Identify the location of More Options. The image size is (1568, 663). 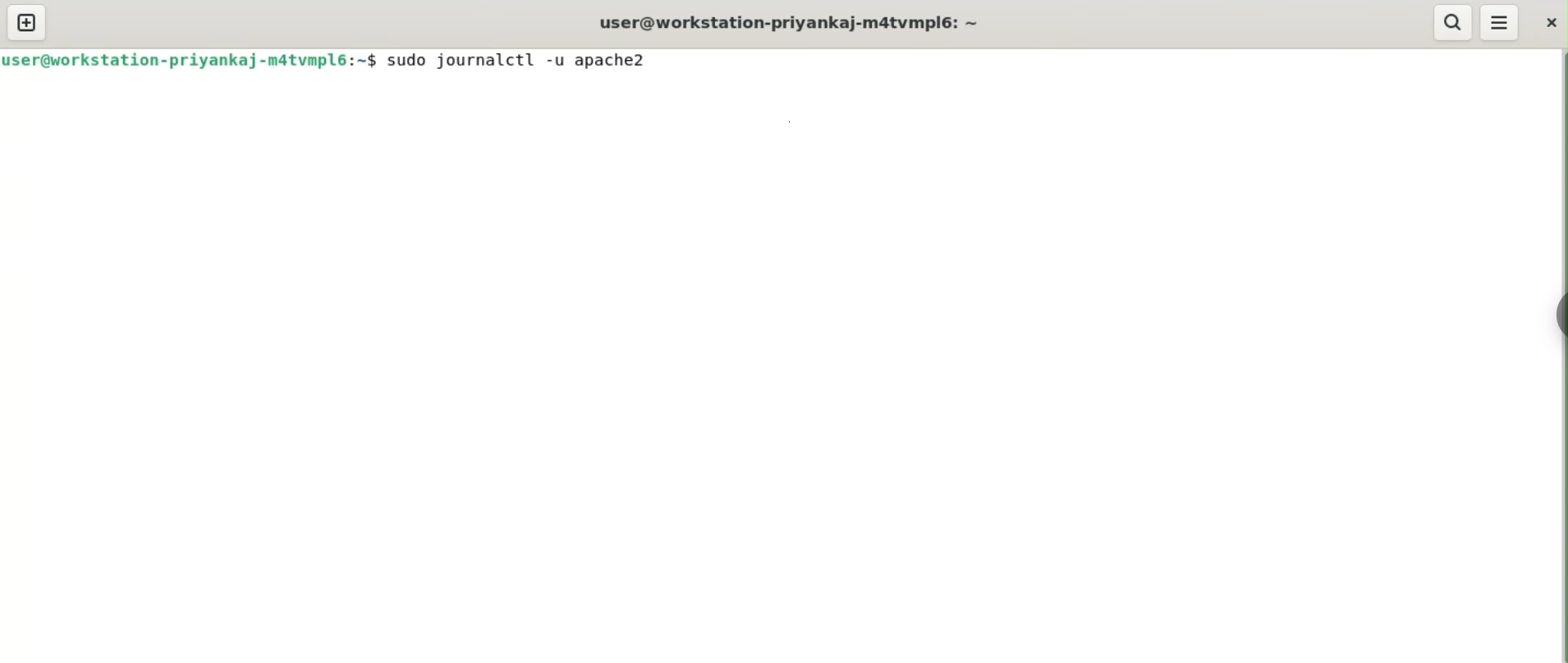
(1500, 22).